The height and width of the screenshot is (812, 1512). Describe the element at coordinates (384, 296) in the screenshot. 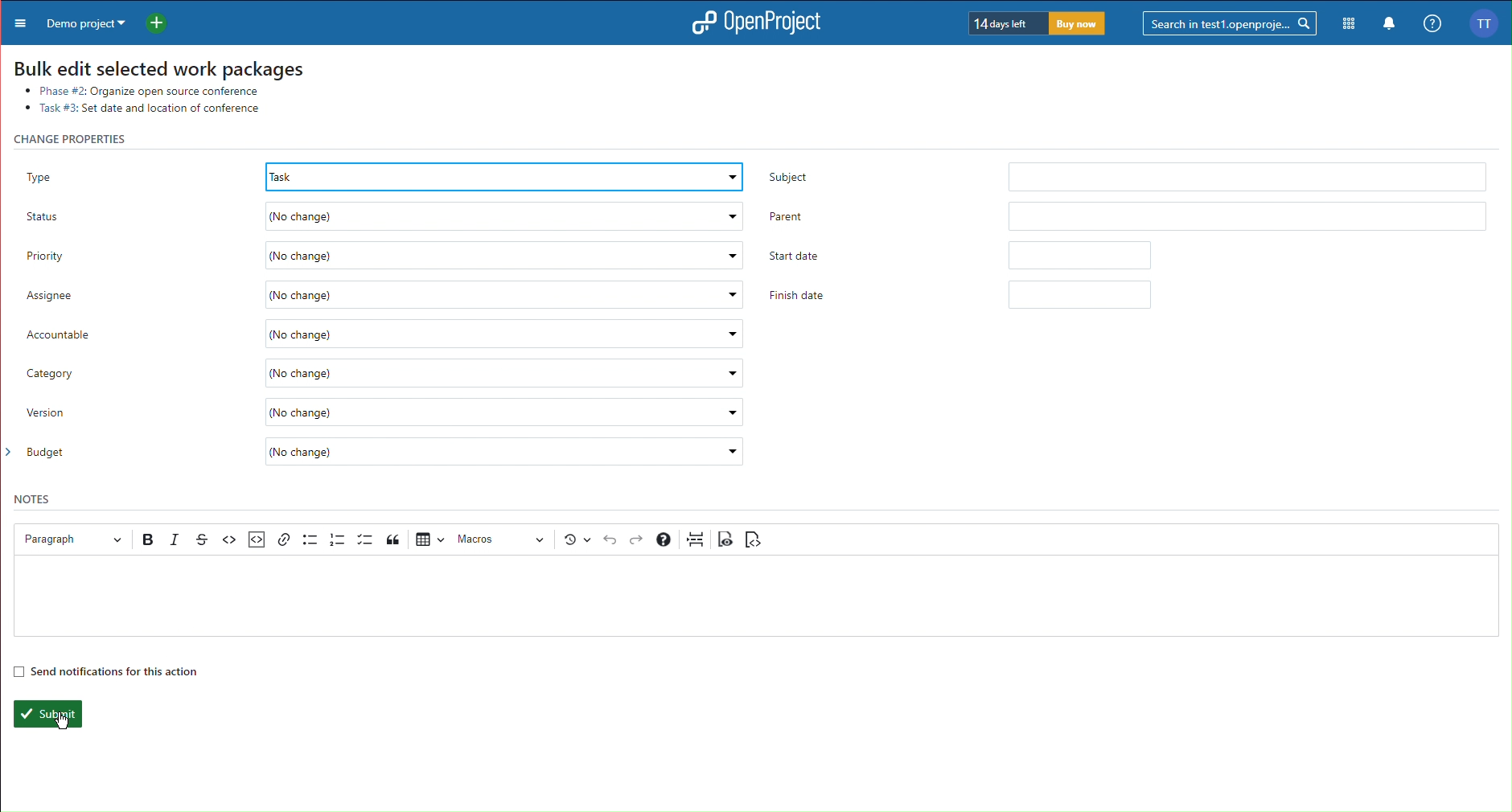

I see `Assignee` at that location.